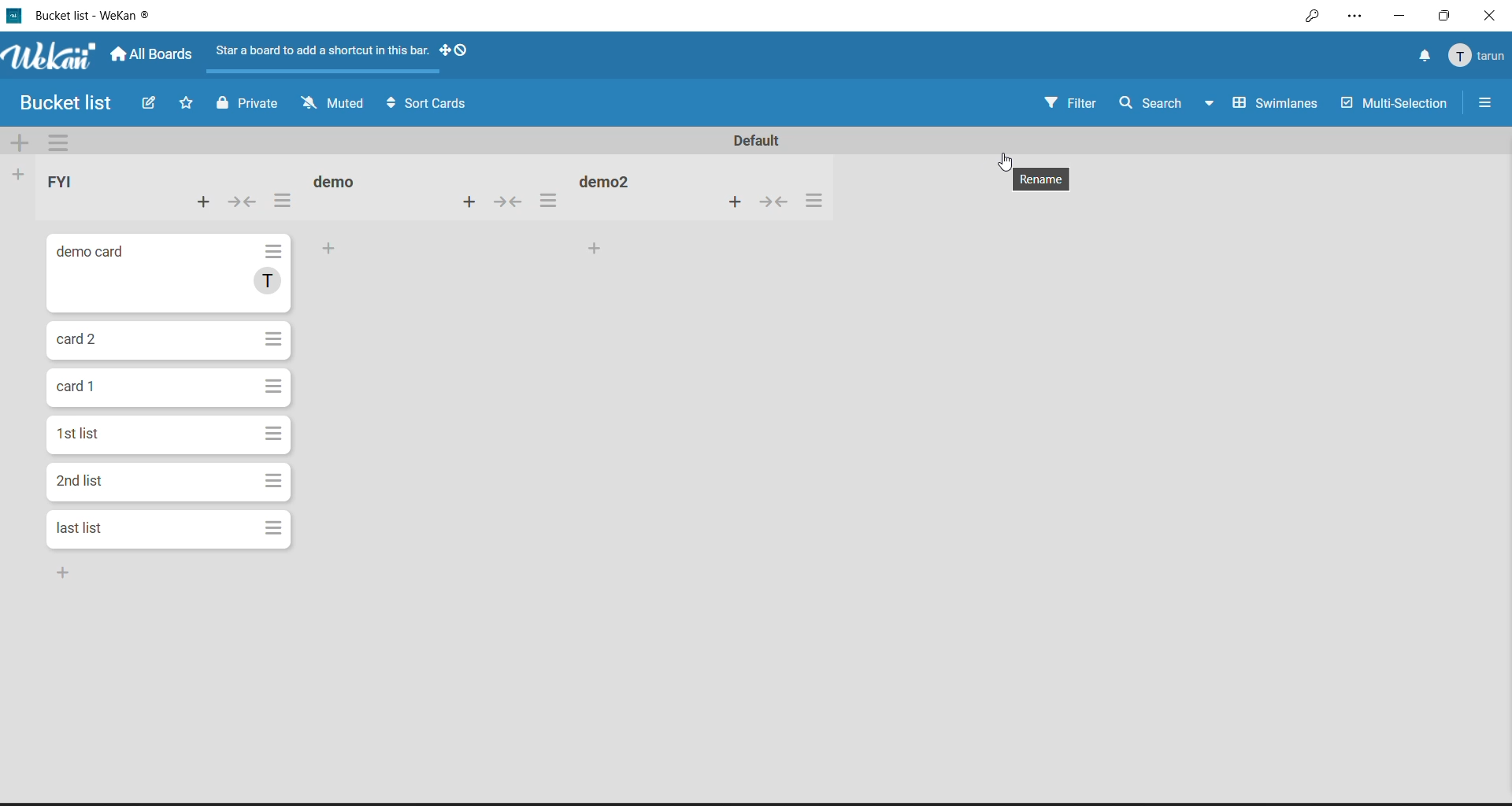 Image resolution: width=1512 pixels, height=806 pixels. Describe the element at coordinates (1069, 102) in the screenshot. I see `filter` at that location.